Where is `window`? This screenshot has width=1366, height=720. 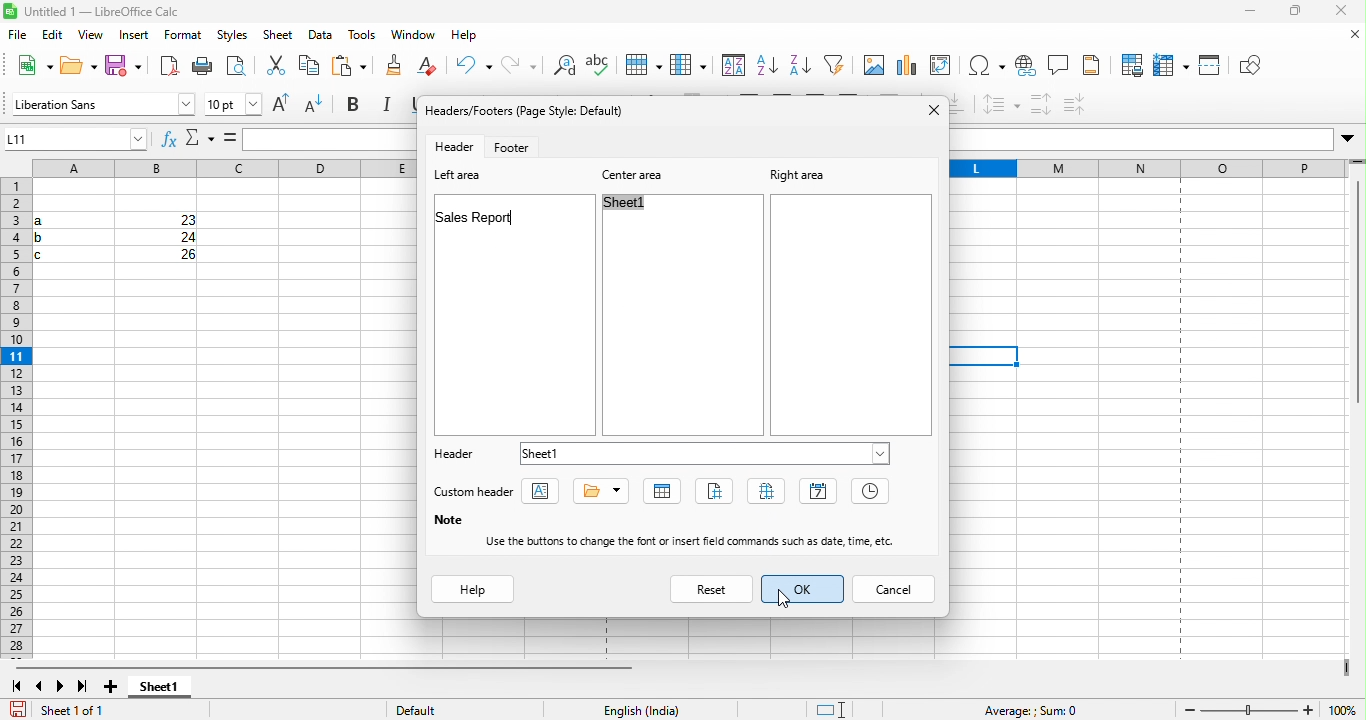 window is located at coordinates (409, 38).